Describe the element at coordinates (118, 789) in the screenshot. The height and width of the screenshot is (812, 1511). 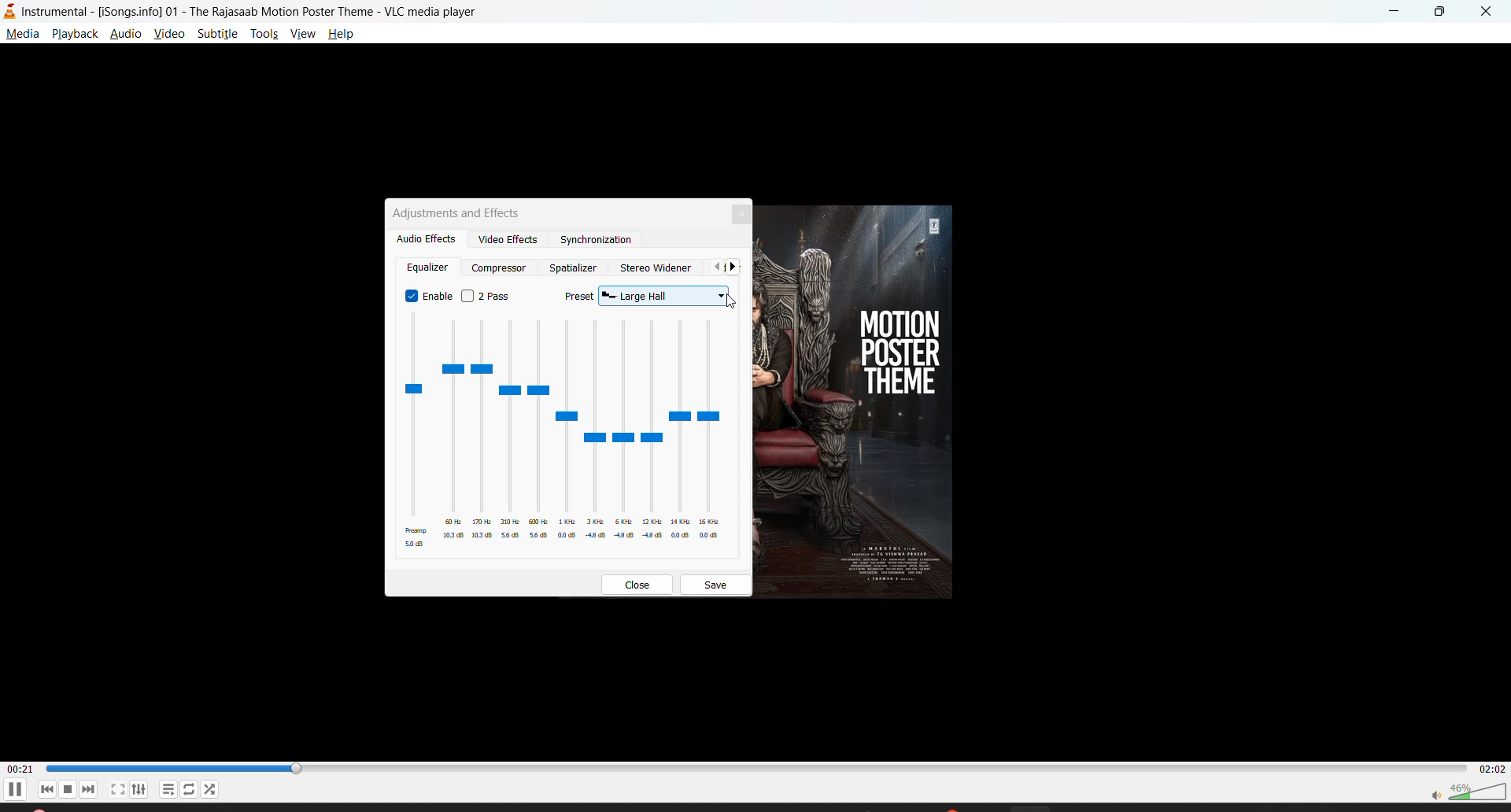
I see `fullscreen` at that location.